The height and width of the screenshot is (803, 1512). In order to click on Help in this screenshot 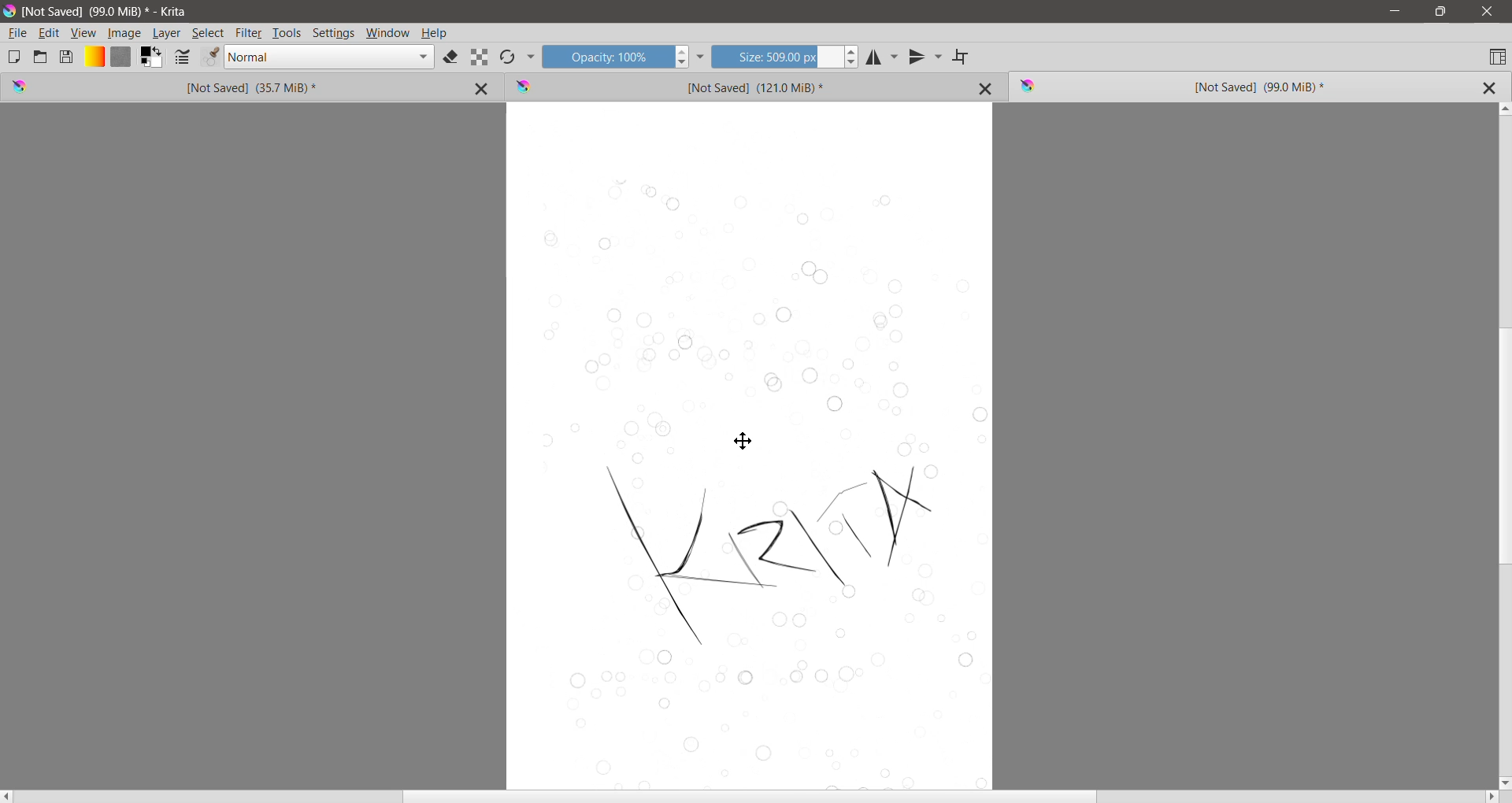, I will do `click(434, 34)`.